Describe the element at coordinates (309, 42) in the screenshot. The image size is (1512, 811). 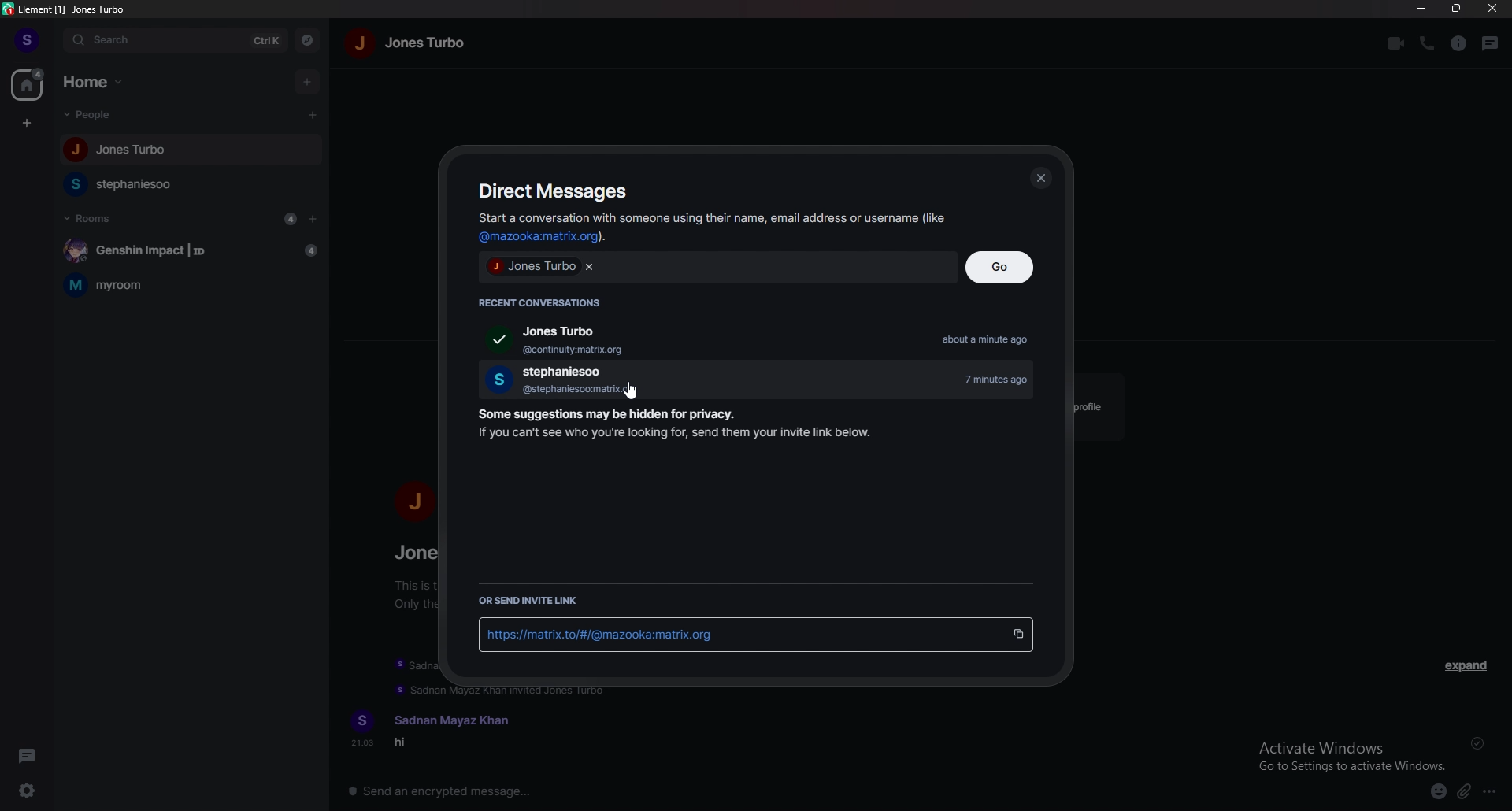
I see `explore rooms` at that location.